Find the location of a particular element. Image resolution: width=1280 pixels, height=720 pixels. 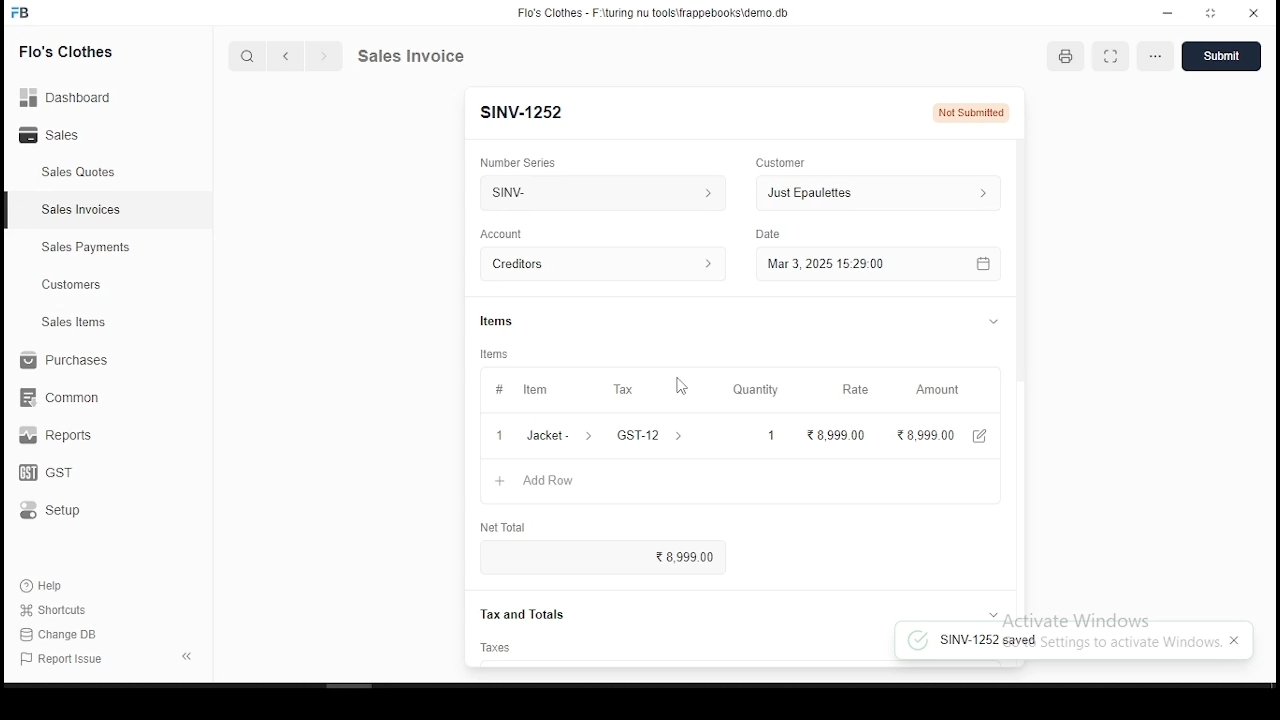

8,999.00 is located at coordinates (613, 557).